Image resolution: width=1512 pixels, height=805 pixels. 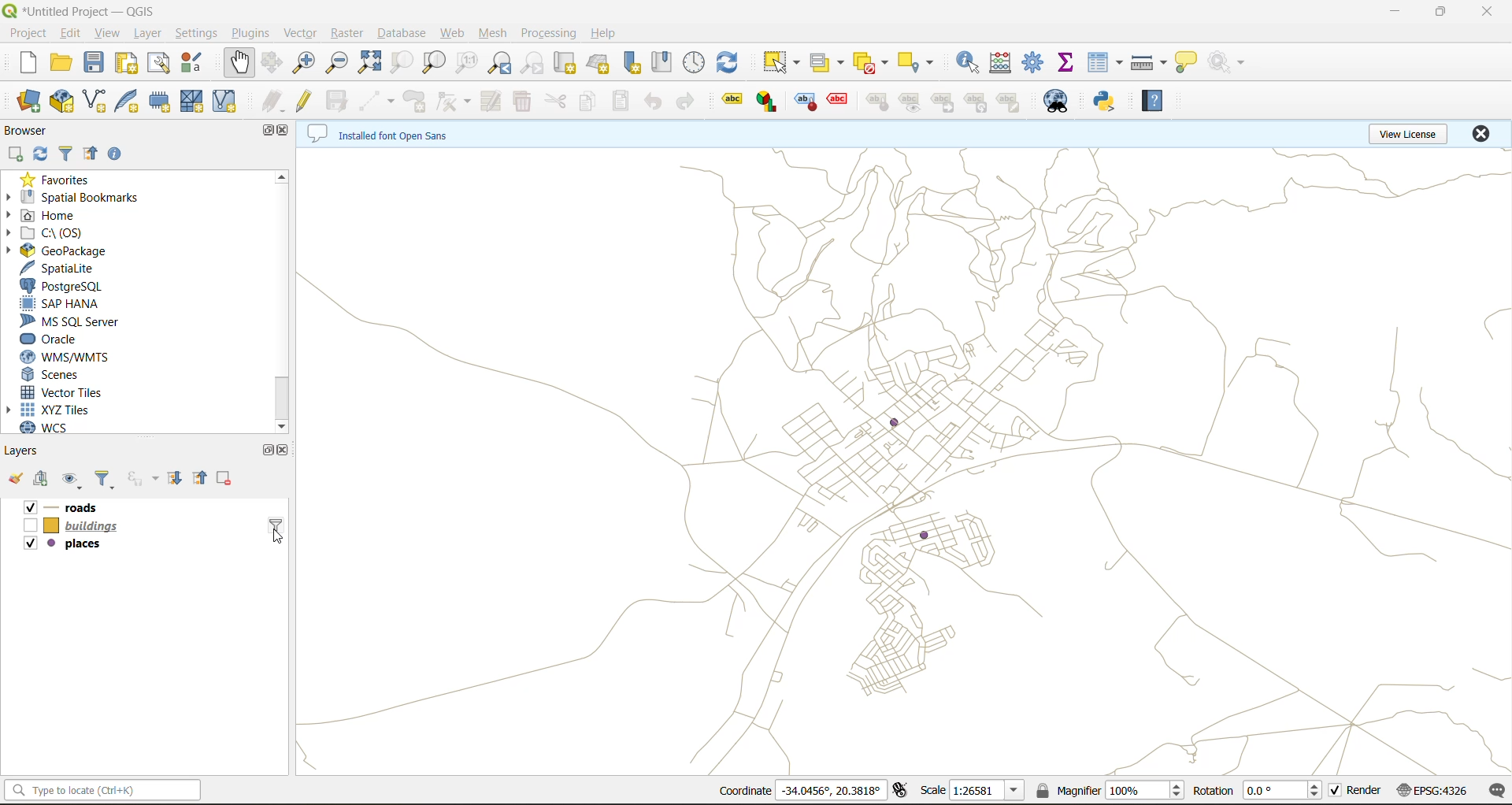 I want to click on vector tiles, so click(x=69, y=393).